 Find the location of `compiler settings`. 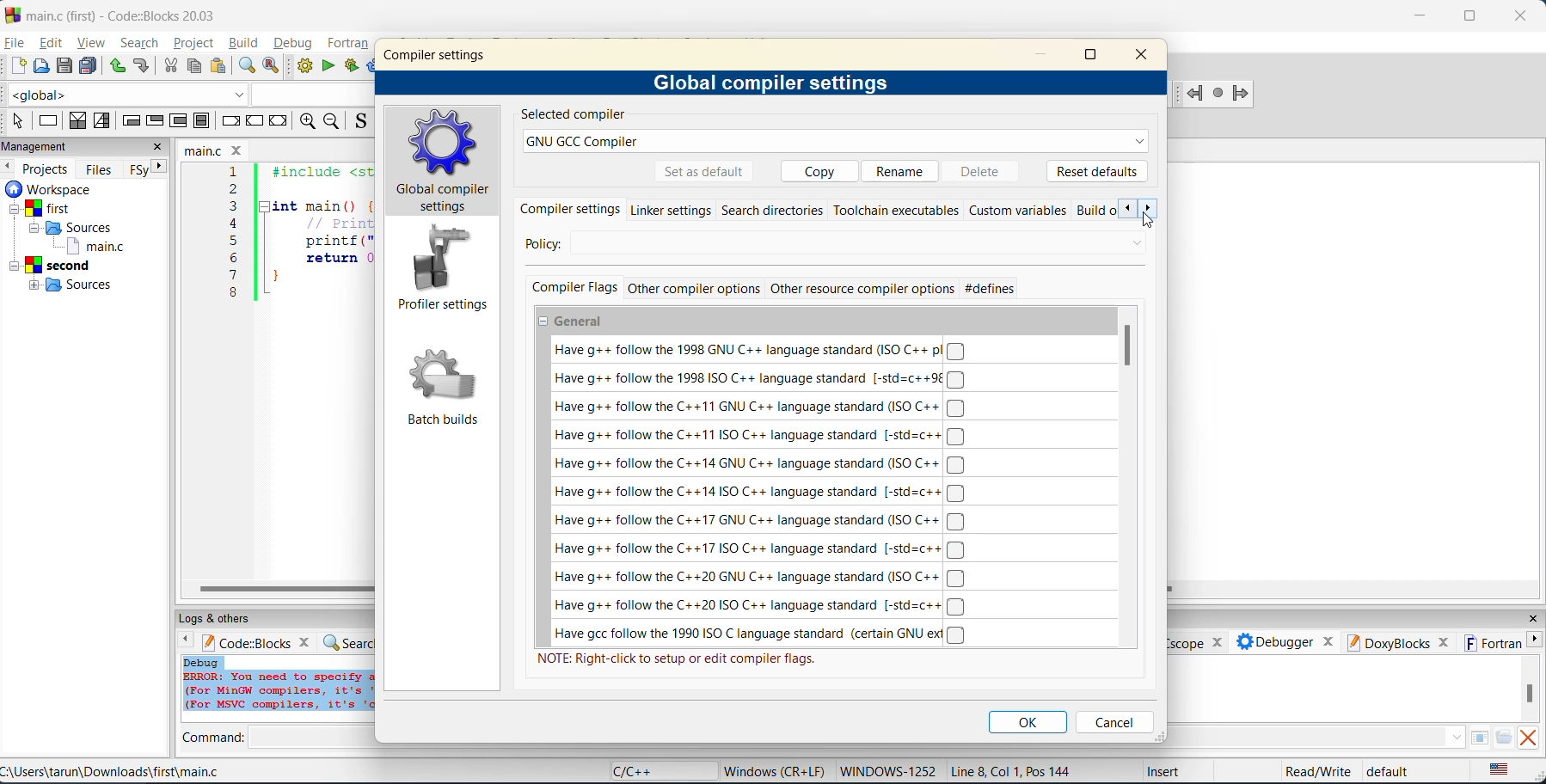

compiler settings is located at coordinates (571, 209).